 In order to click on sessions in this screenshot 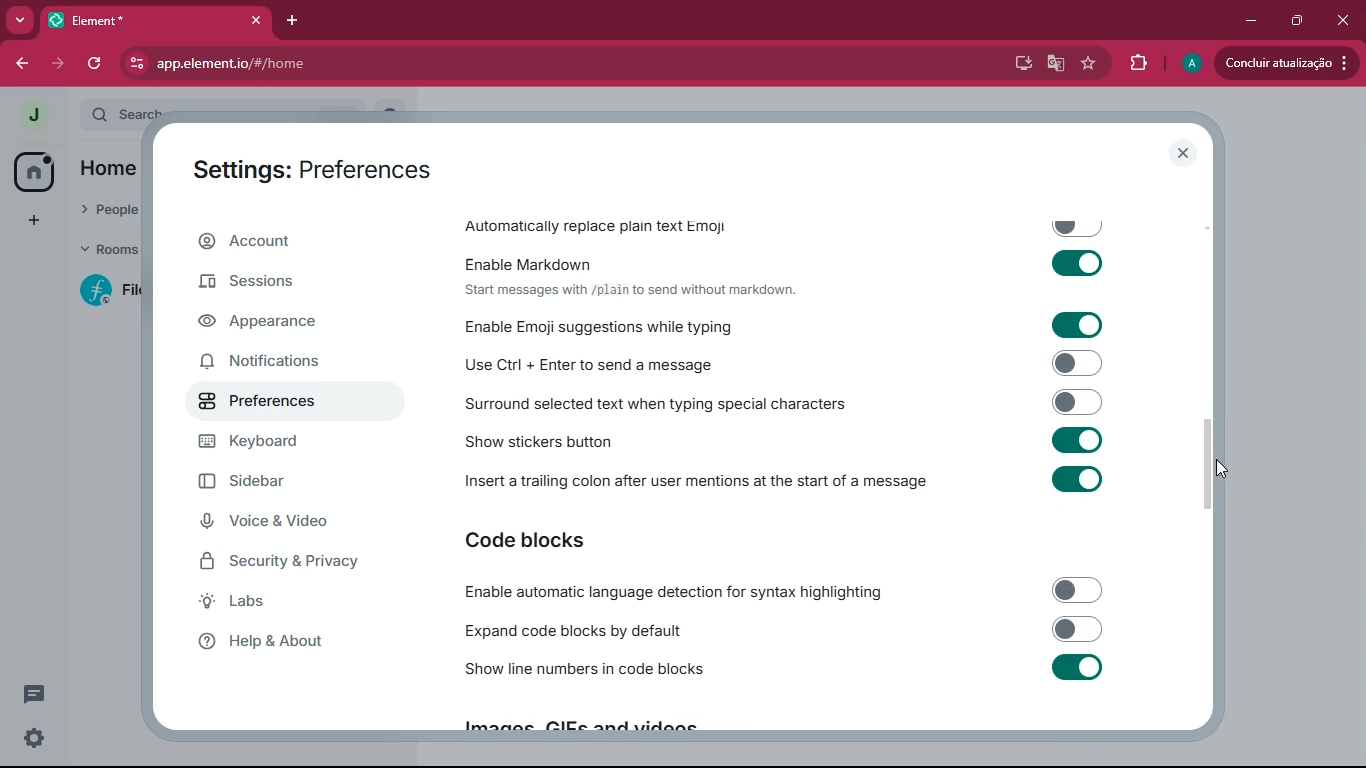, I will do `click(283, 285)`.